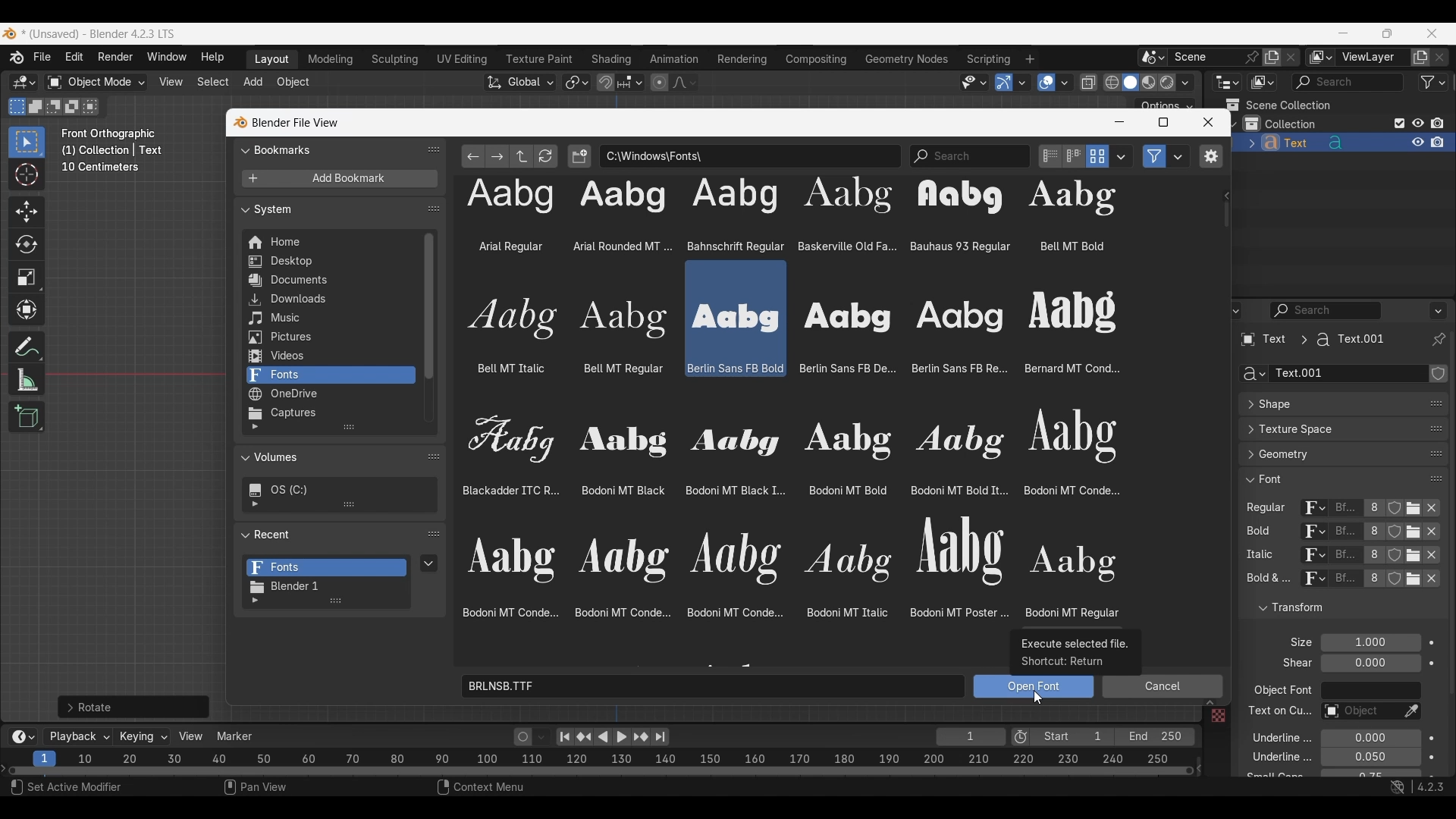 This screenshot has width=1456, height=819. I want to click on , so click(1311, 557).